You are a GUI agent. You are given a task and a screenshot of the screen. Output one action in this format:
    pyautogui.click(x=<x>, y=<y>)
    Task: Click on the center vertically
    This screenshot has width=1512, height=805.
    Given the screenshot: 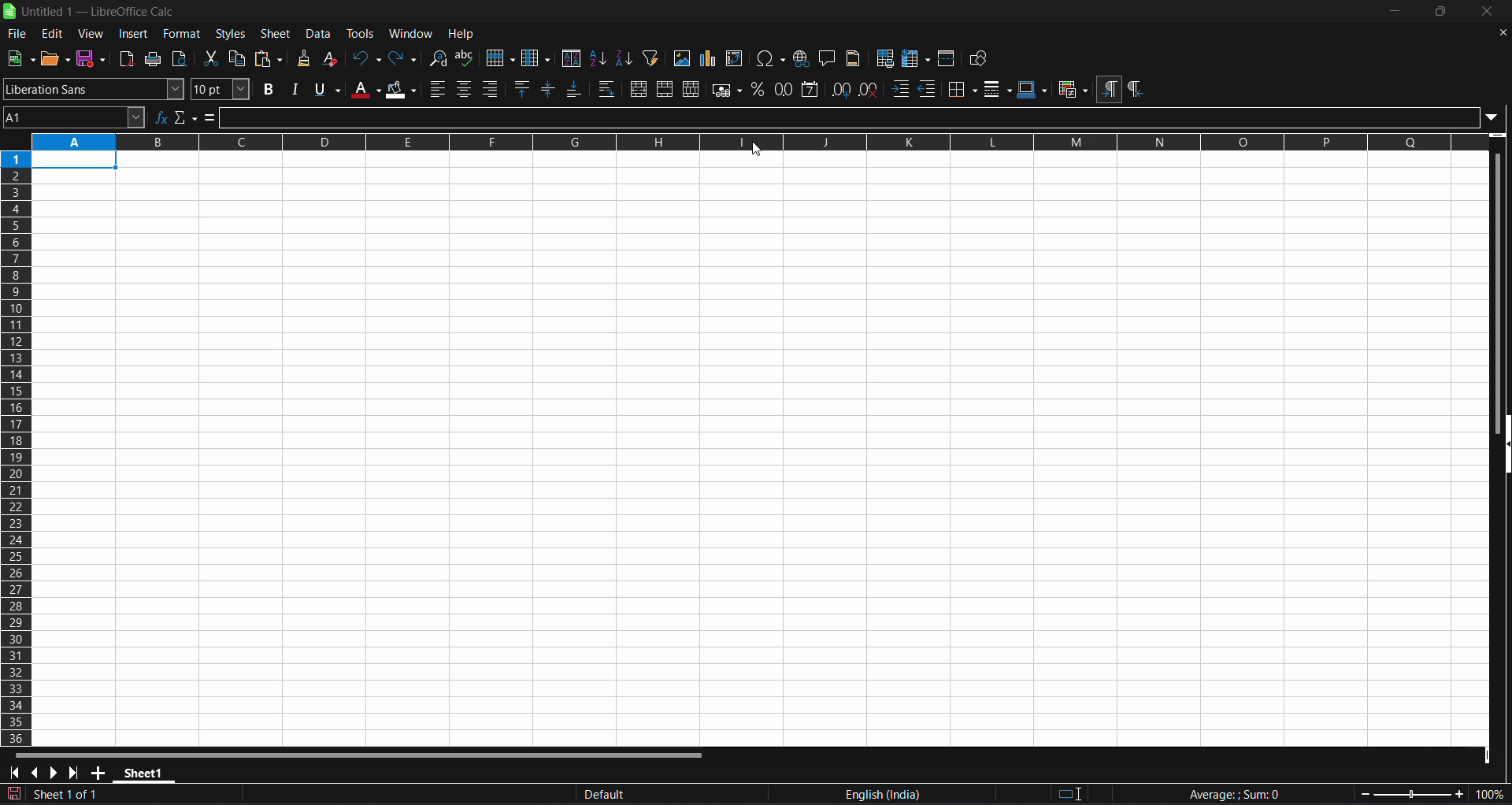 What is the action you would take?
    pyautogui.click(x=550, y=89)
    